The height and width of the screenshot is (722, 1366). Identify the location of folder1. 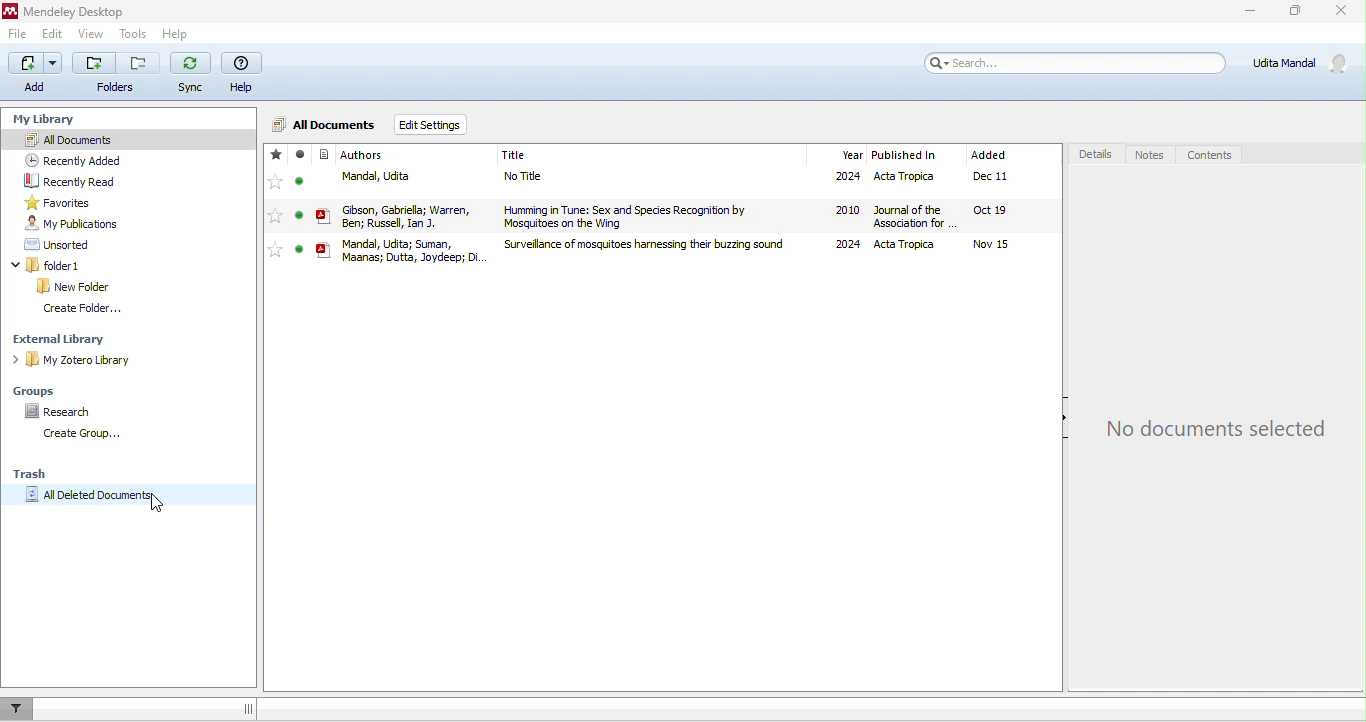
(77, 265).